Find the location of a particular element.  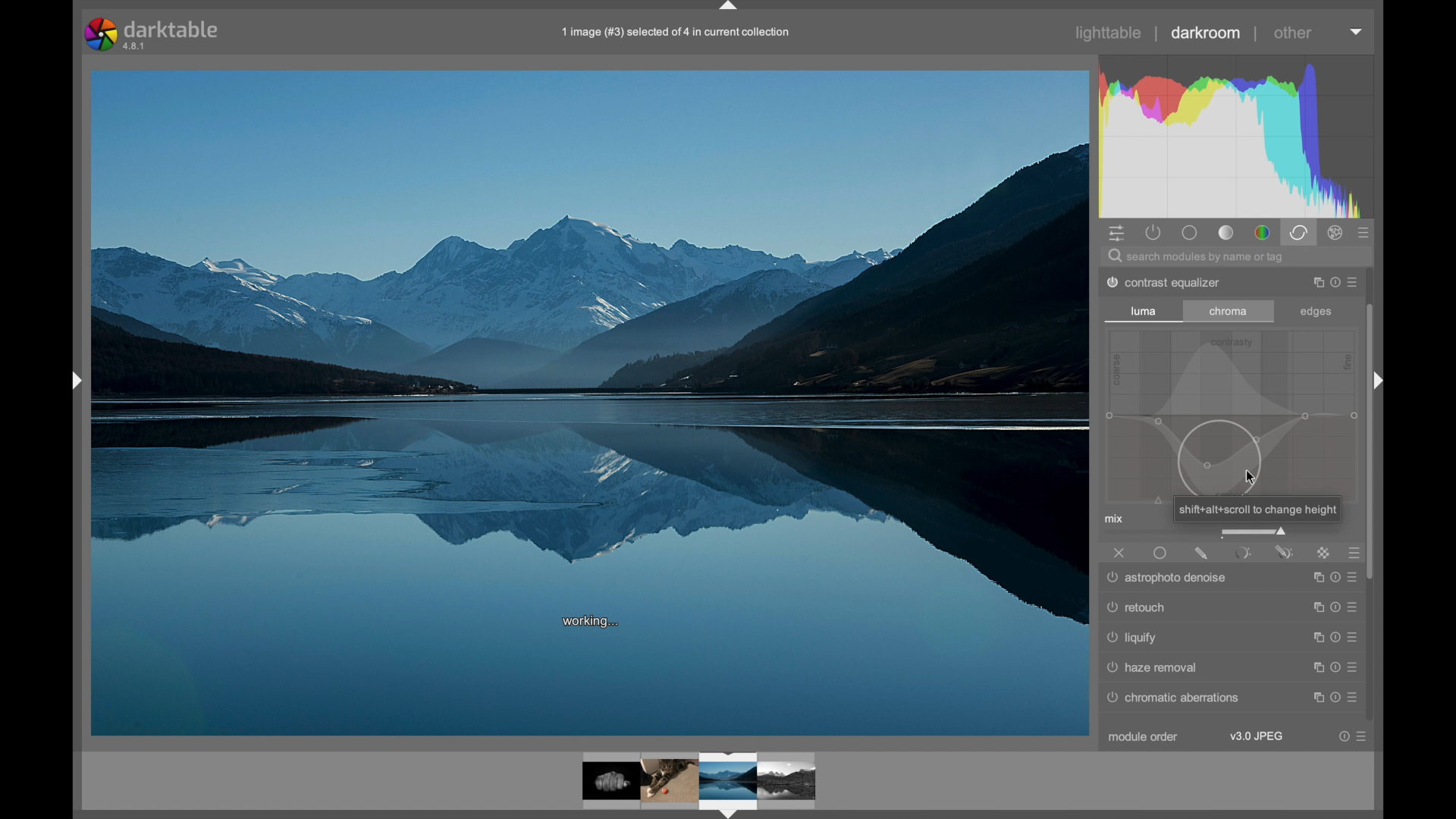

tone is located at coordinates (1227, 234).